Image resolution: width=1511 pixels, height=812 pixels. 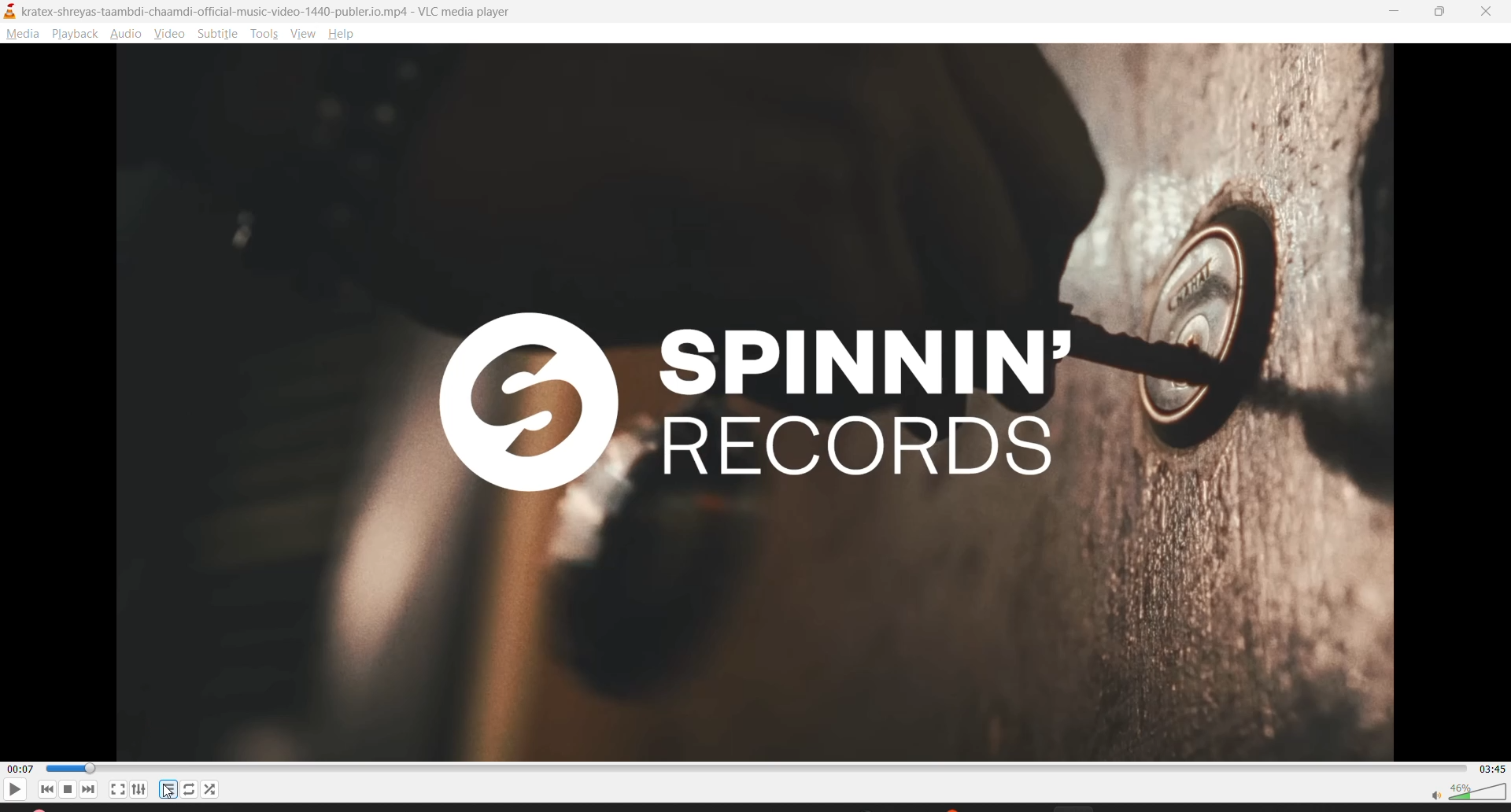 I want to click on minimize, so click(x=1398, y=14).